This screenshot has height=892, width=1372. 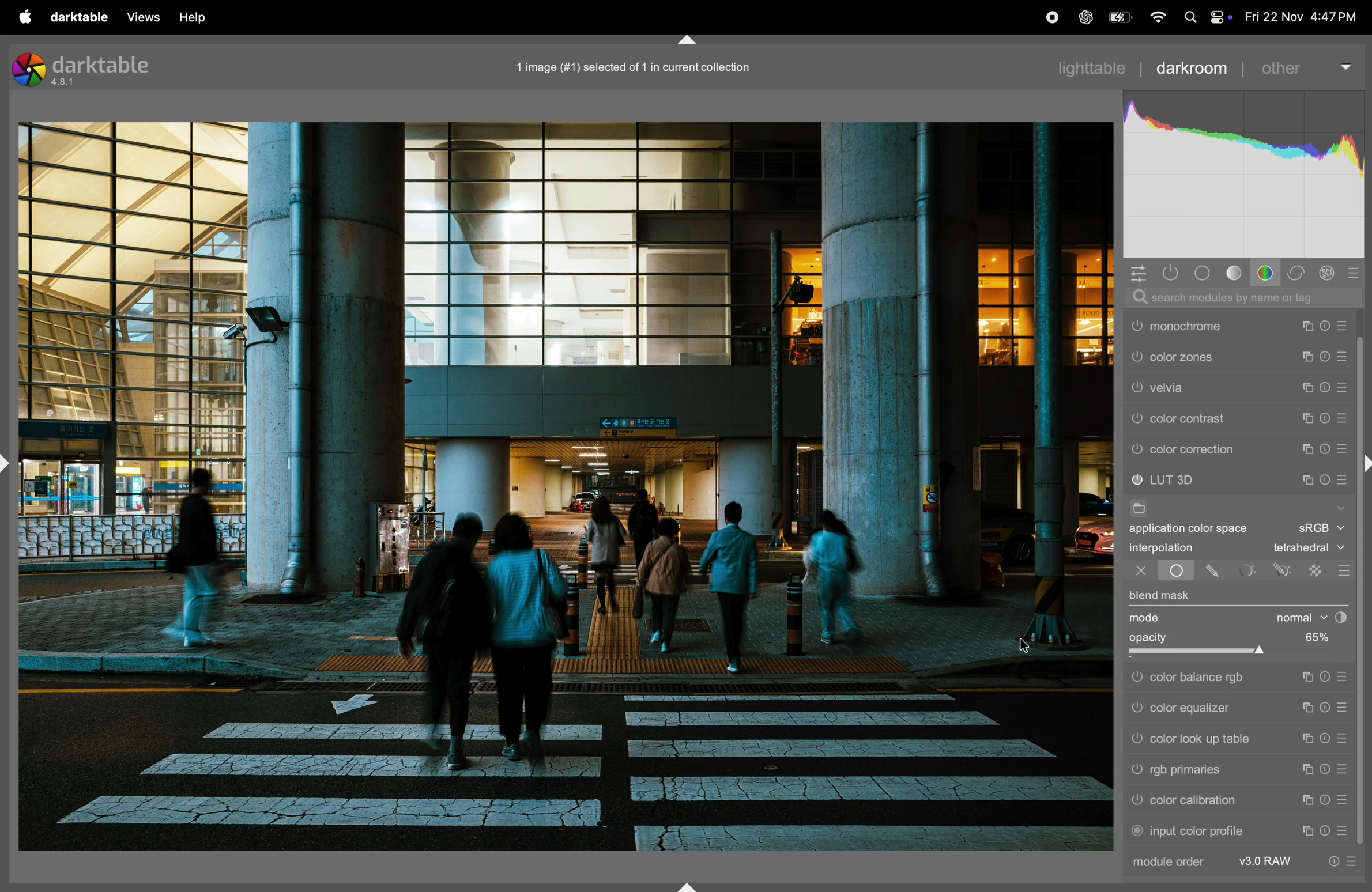 I want to click on shift+ctrl+r, so click(x=1363, y=463).